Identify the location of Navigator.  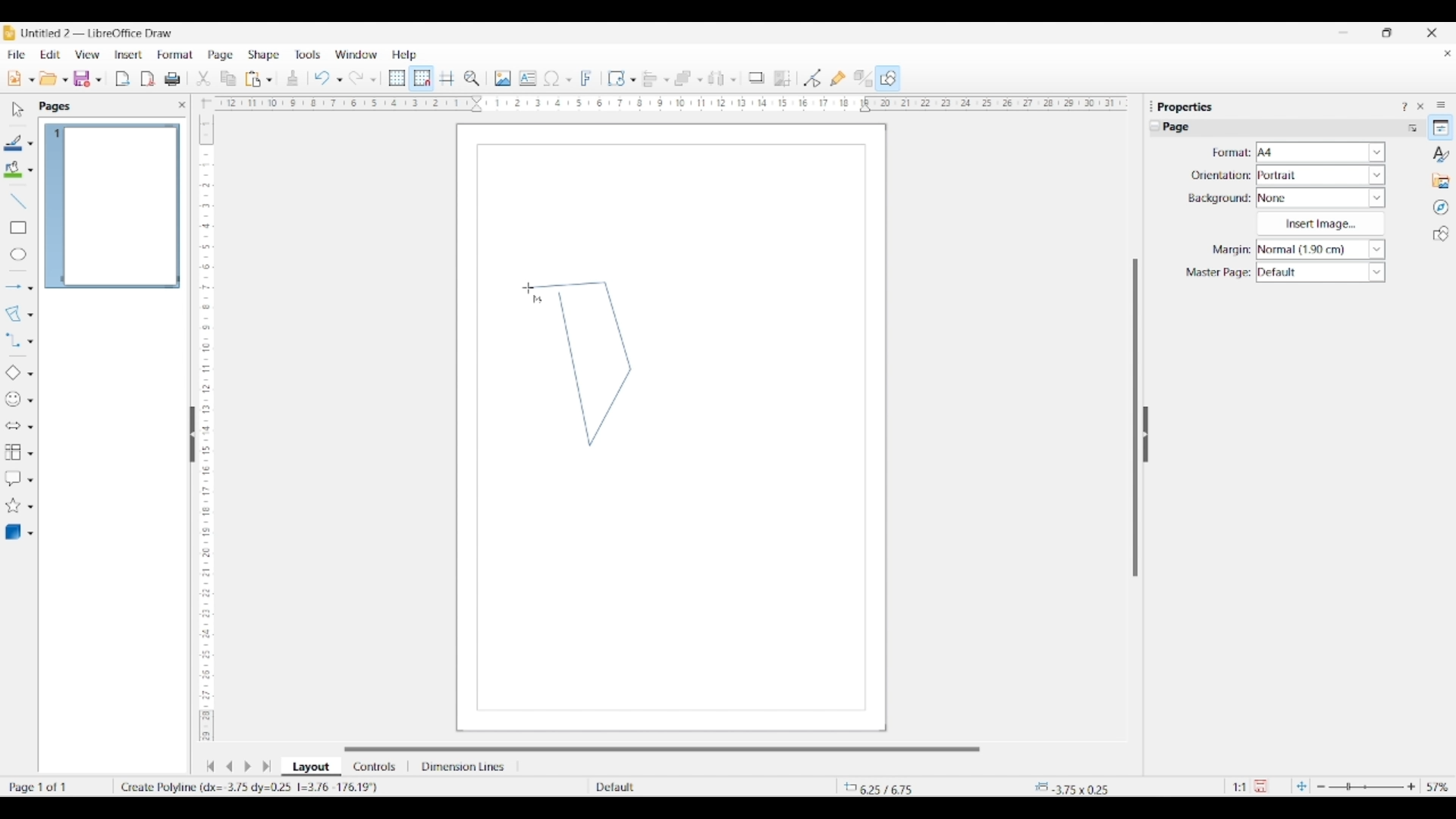
(1441, 208).